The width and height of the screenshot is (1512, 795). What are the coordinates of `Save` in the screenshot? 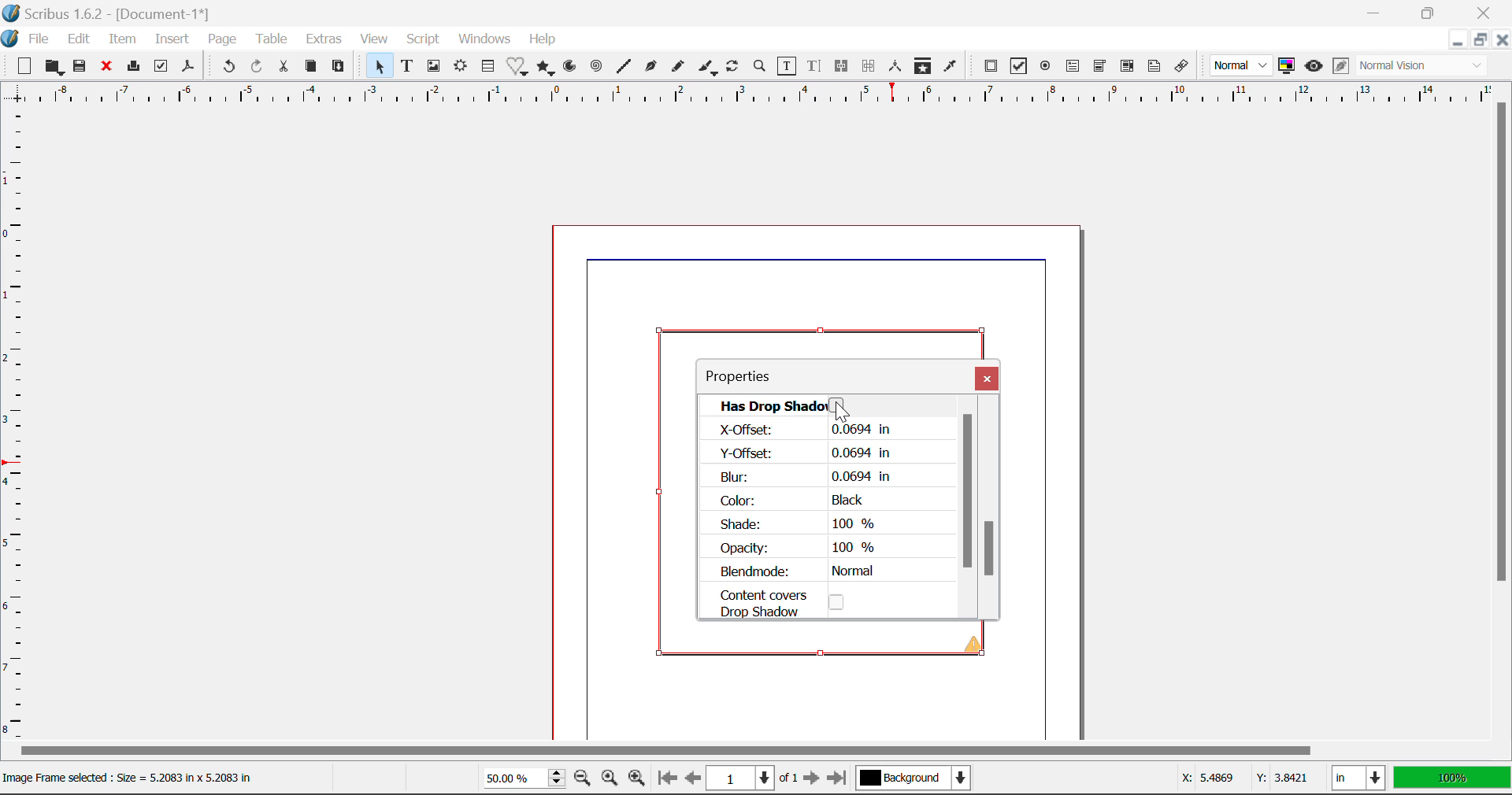 It's located at (81, 68).